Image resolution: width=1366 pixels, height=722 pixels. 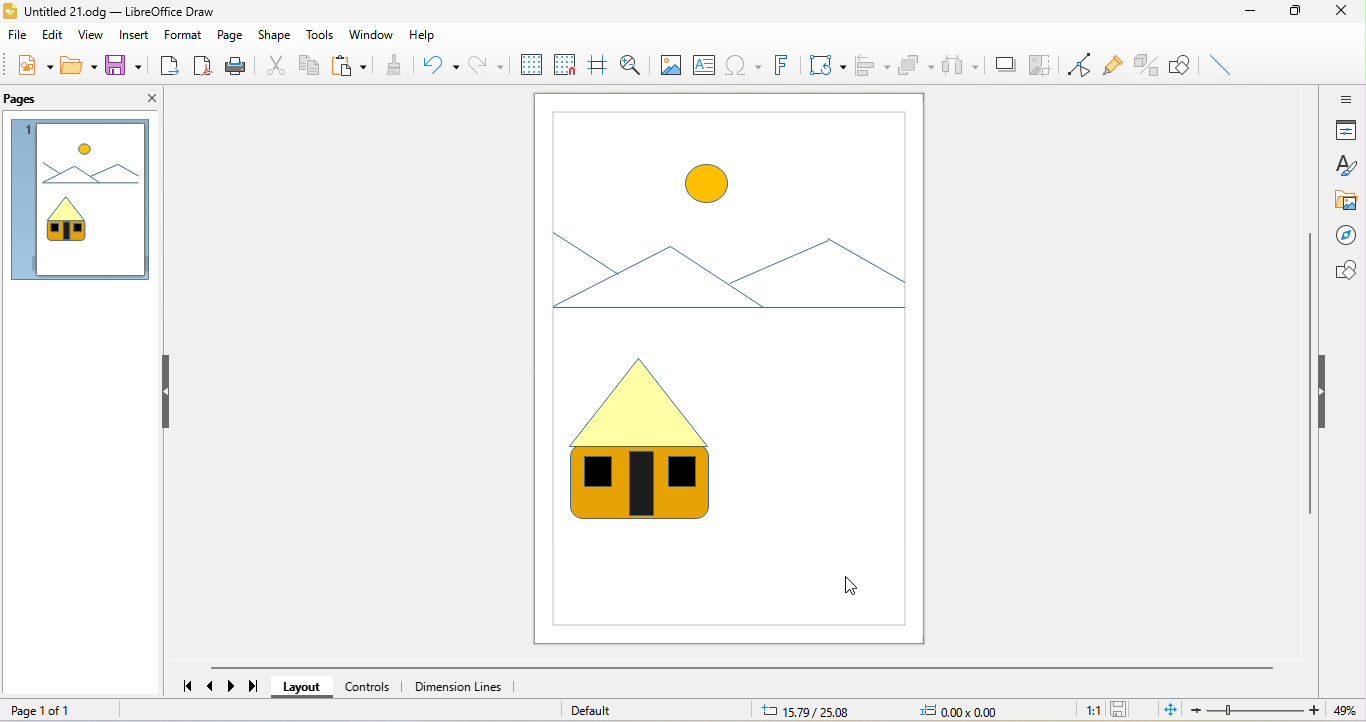 What do you see at coordinates (874, 64) in the screenshot?
I see `align objects` at bounding box center [874, 64].